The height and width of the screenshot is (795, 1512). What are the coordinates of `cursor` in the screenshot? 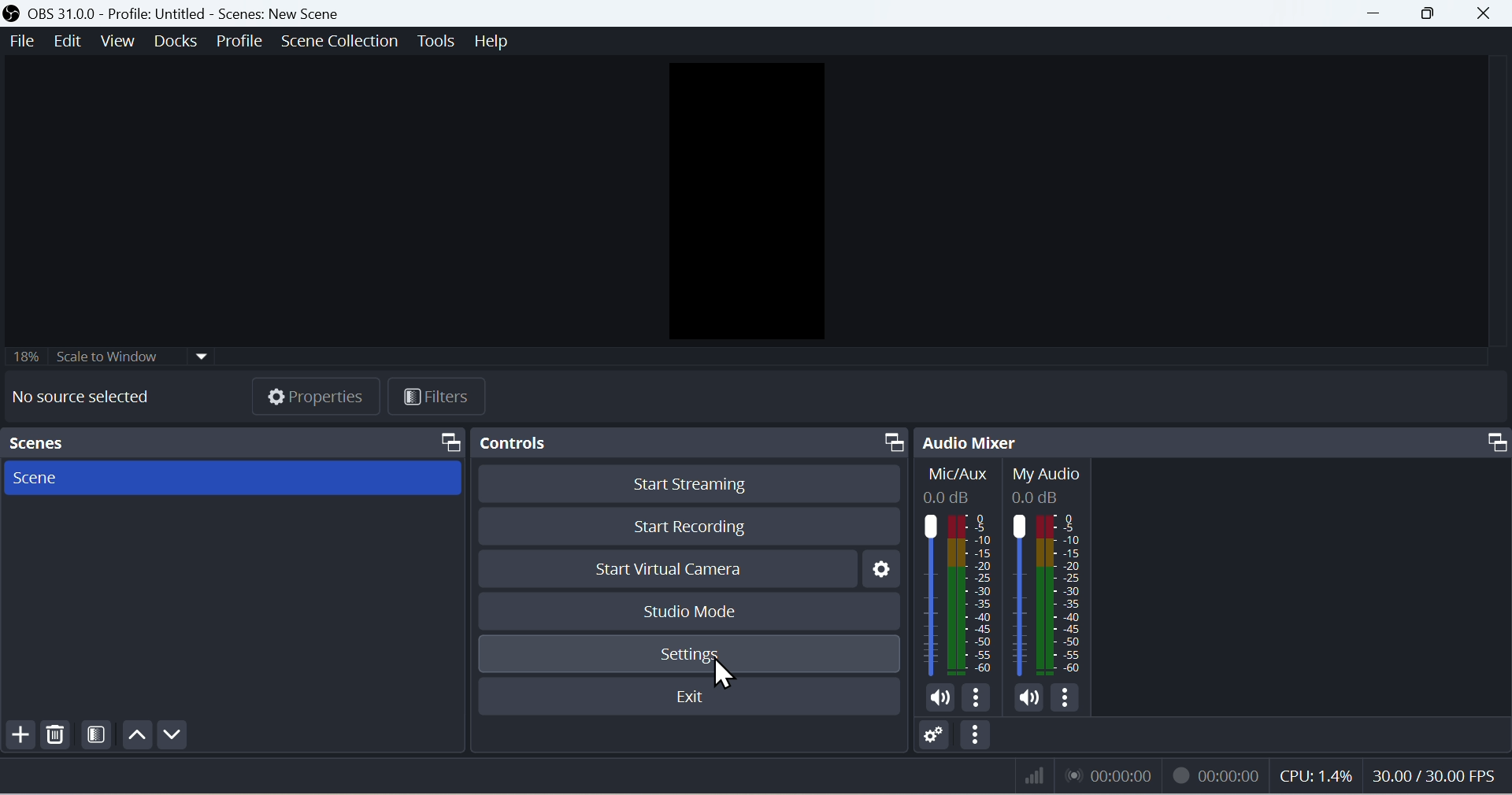 It's located at (724, 676).